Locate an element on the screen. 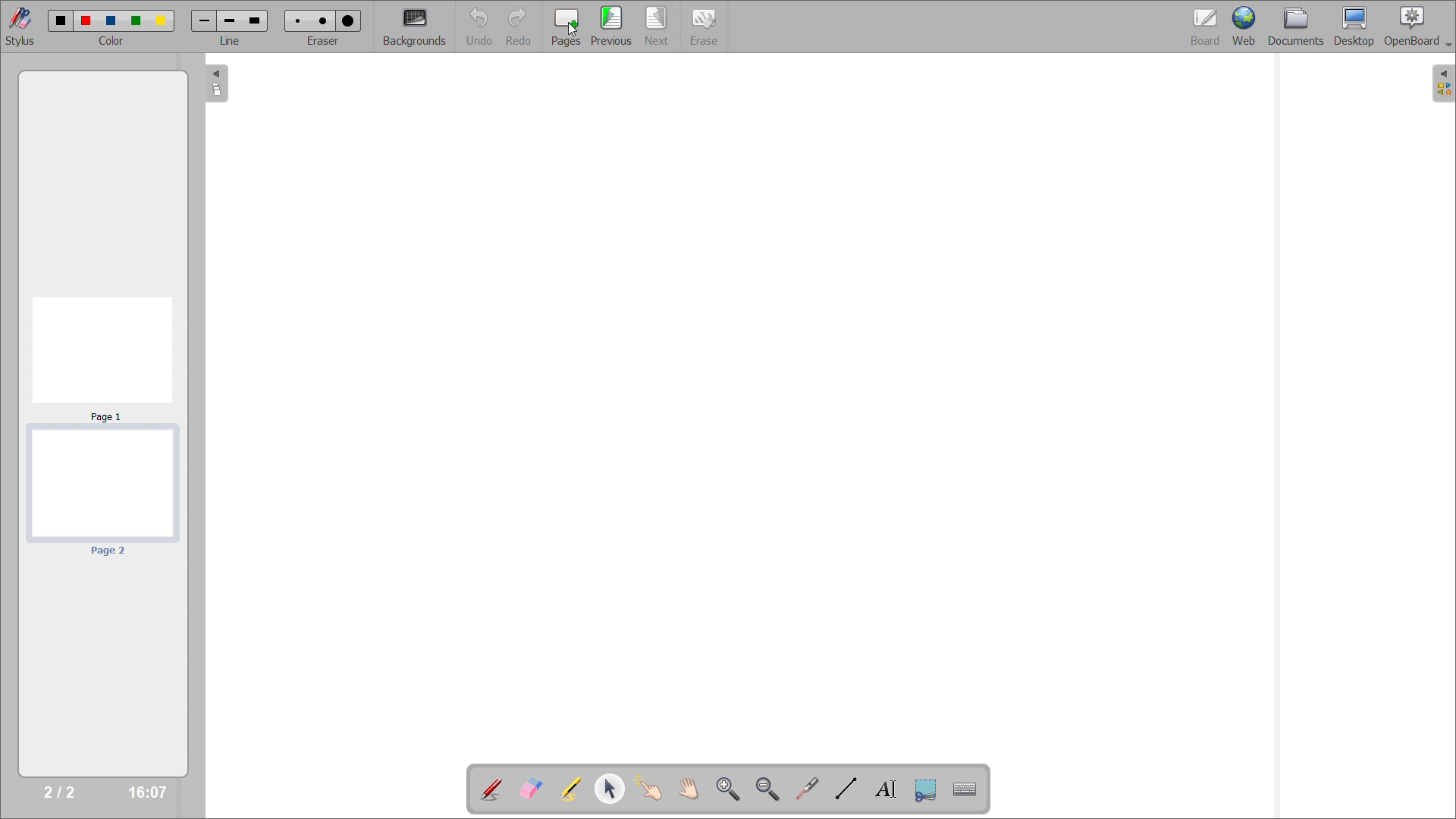 This screenshot has width=1456, height=819. board is located at coordinates (1204, 27).